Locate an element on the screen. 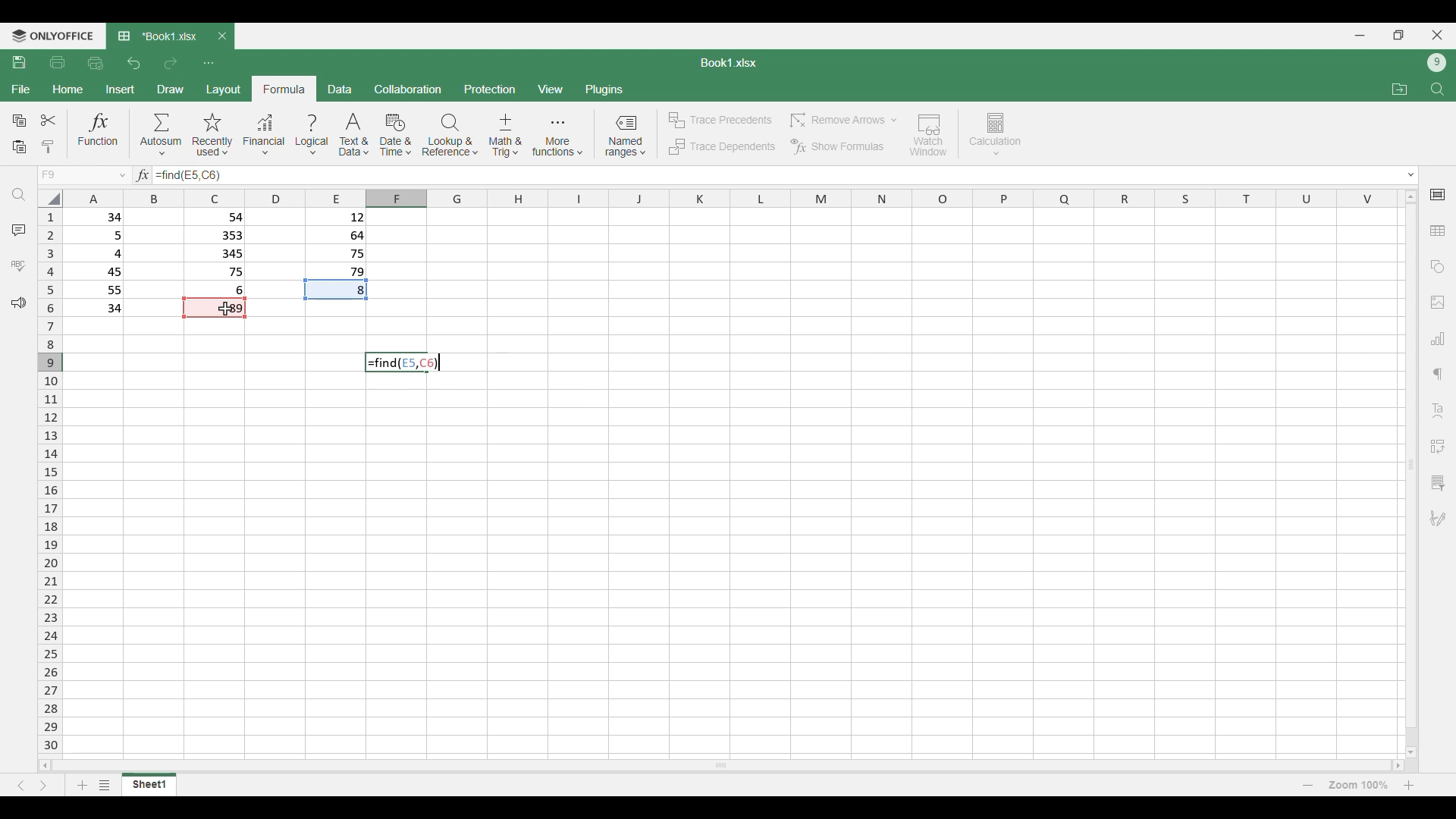 Image resolution: width=1456 pixels, height=819 pixels. Selected cell number is located at coordinates (418, 362).